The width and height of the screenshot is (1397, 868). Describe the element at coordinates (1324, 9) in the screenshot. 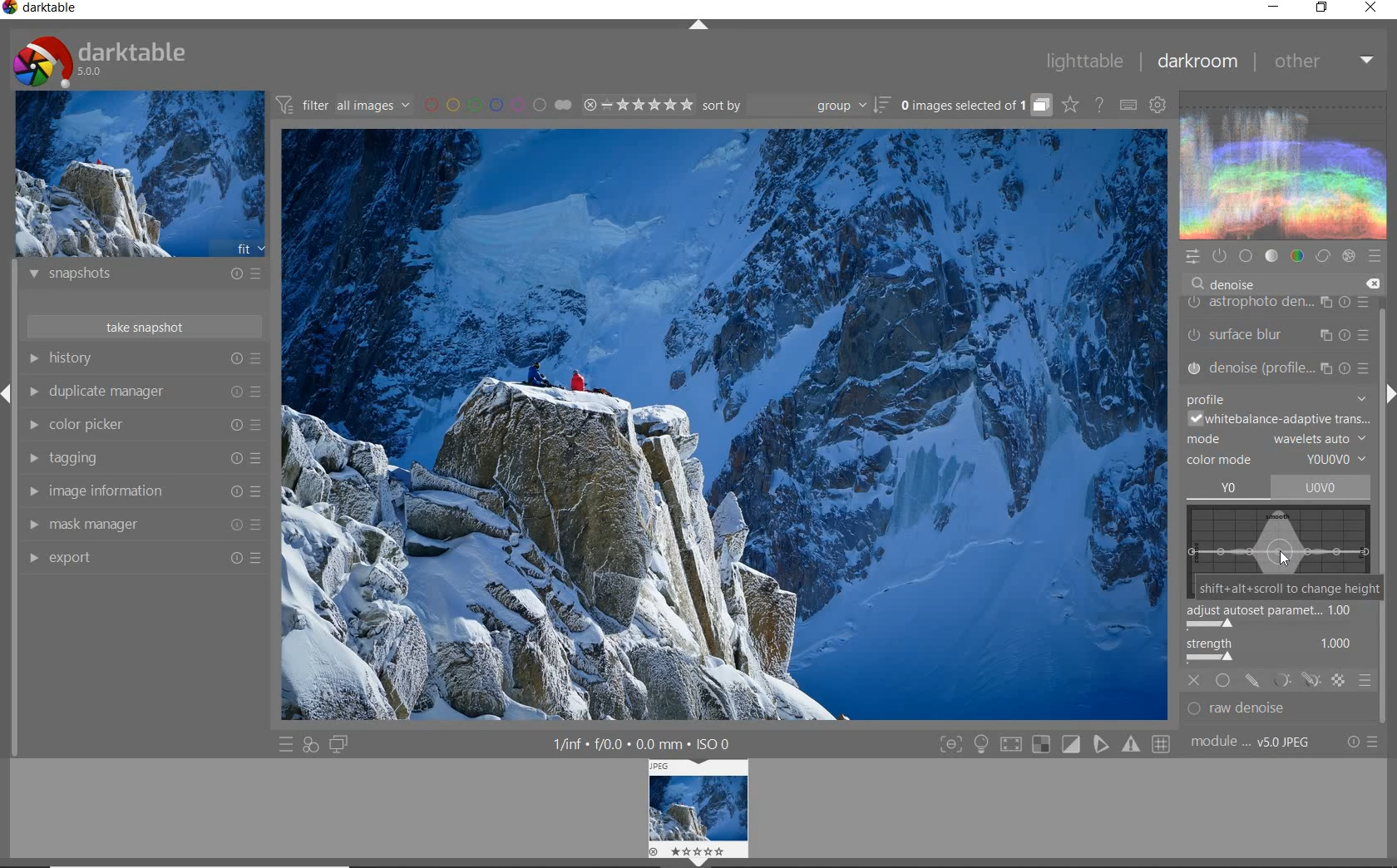

I see `restore` at that location.